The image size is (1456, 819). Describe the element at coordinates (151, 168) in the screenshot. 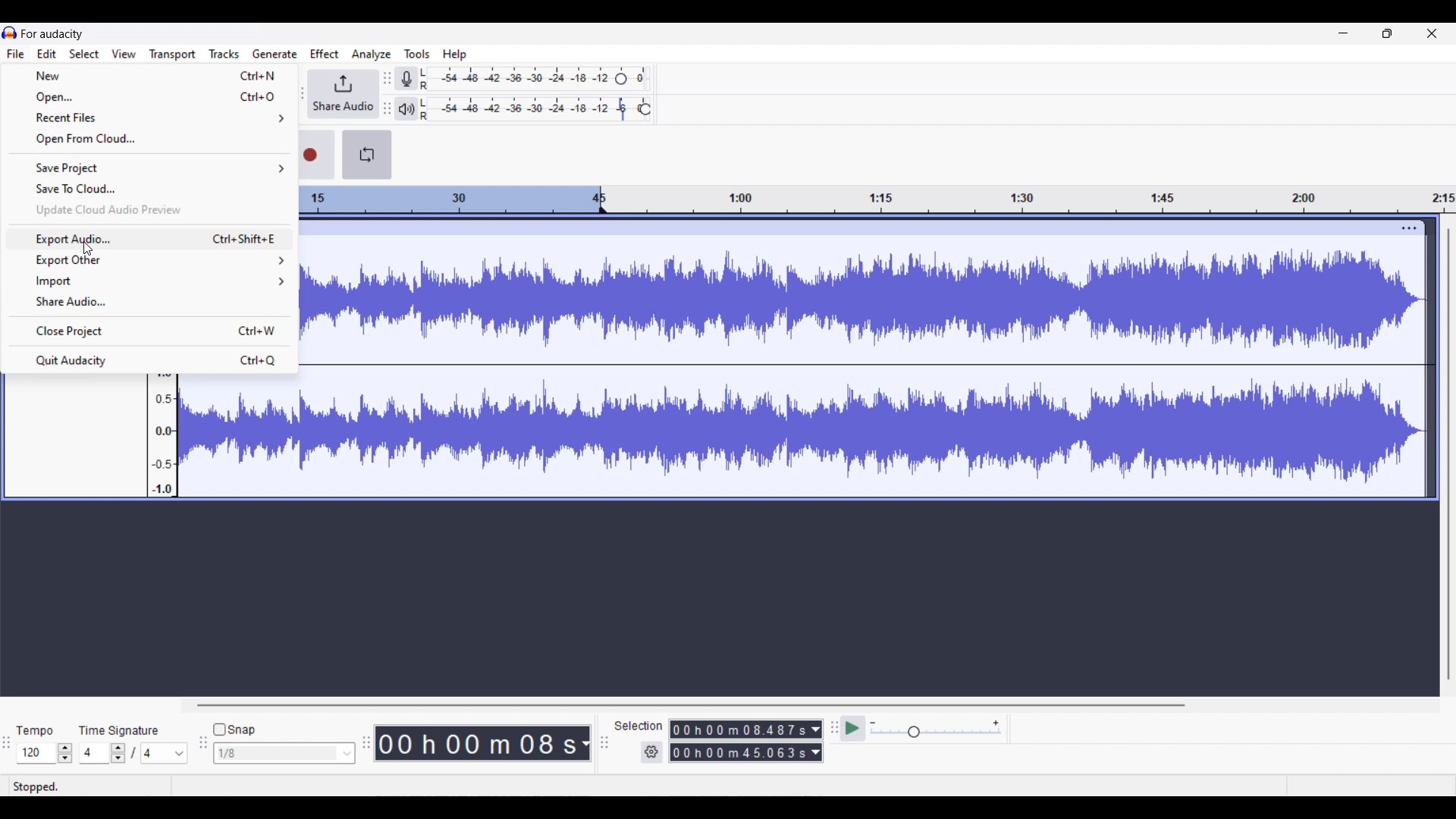

I see `Save project options` at that location.